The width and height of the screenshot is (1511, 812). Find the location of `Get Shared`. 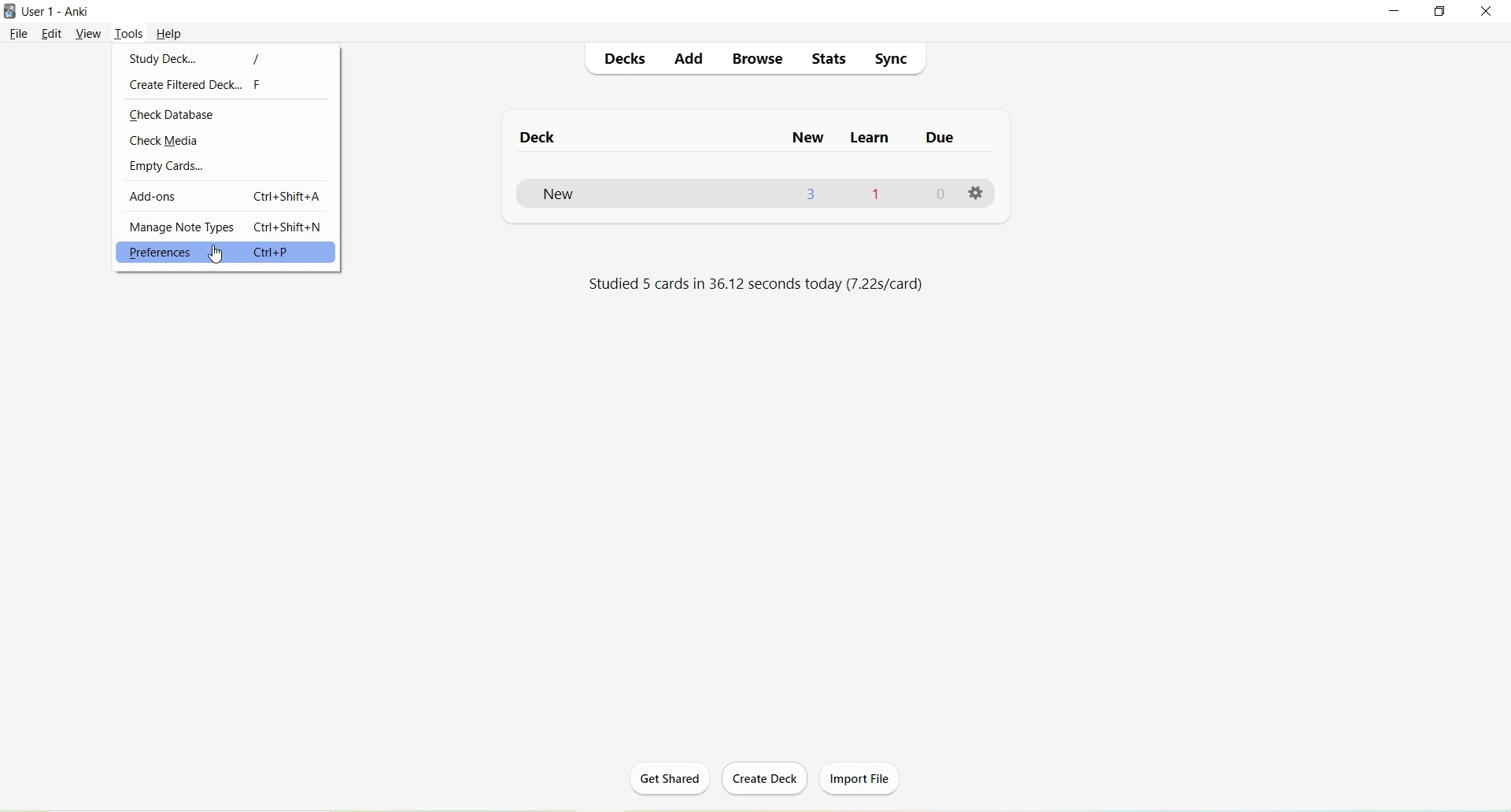

Get Shared is located at coordinates (676, 781).